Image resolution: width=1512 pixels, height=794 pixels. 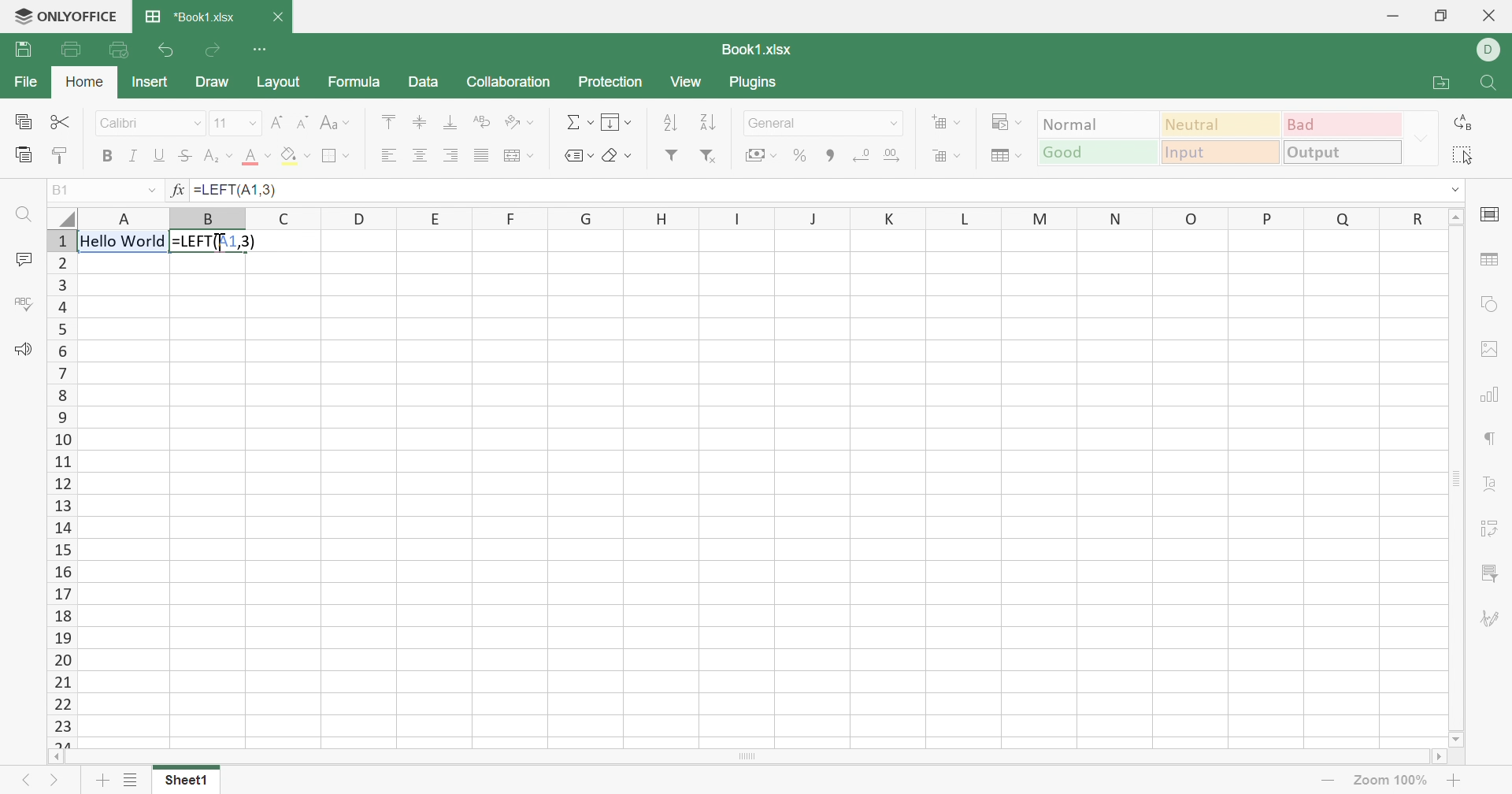 What do you see at coordinates (758, 52) in the screenshot?
I see `Book1.xlsx` at bounding box center [758, 52].